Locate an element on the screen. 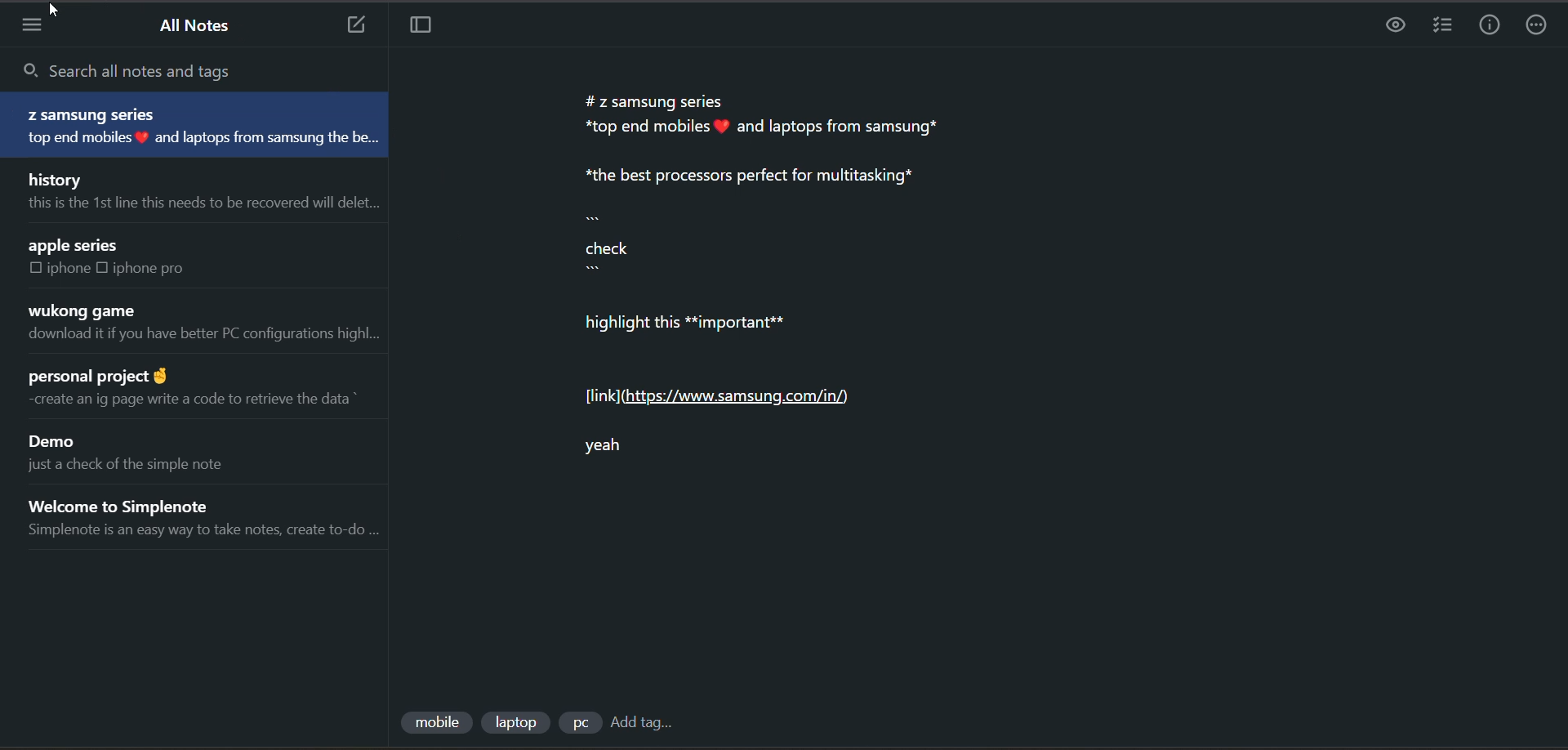  actions is located at coordinates (1542, 25).